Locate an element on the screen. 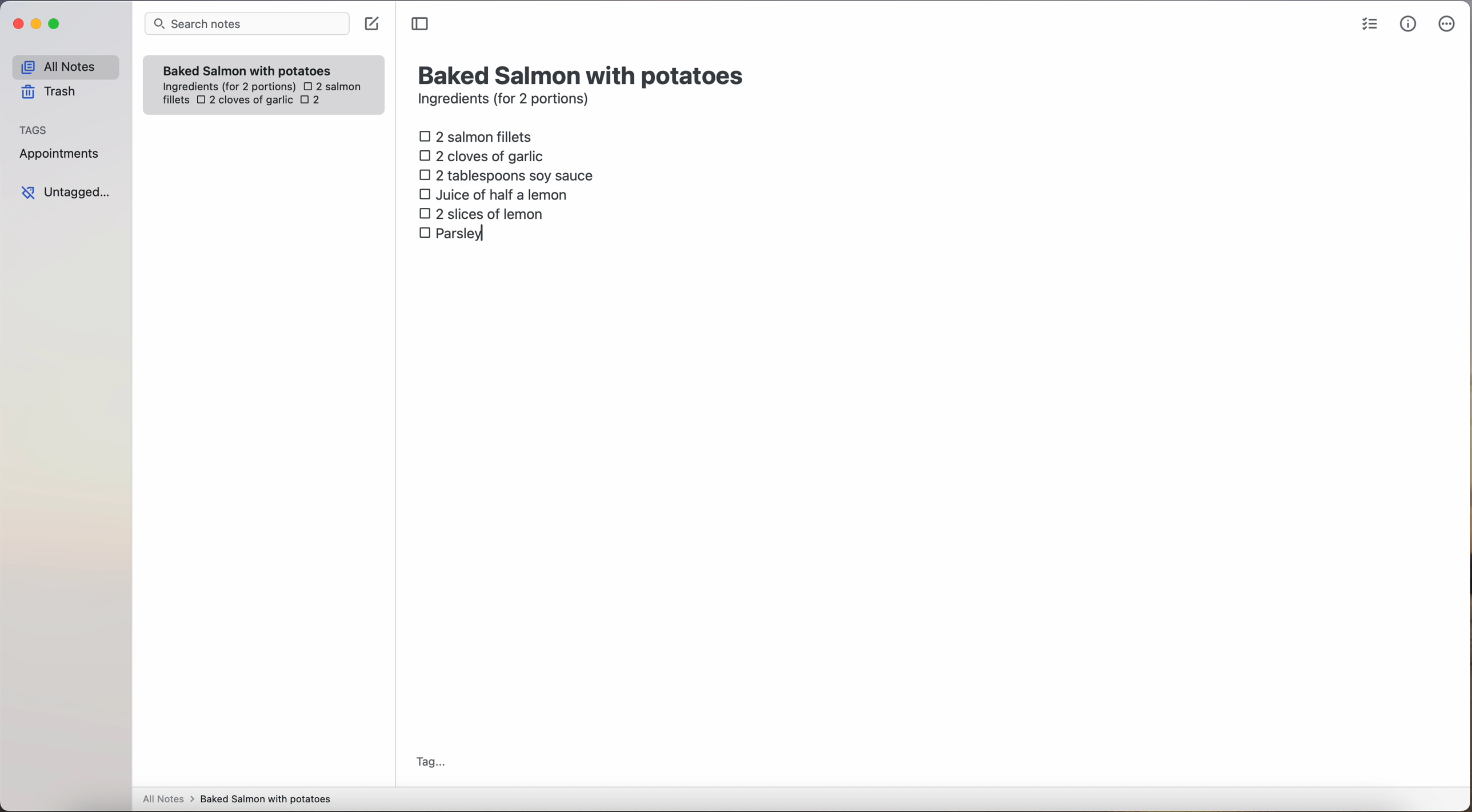 The width and height of the screenshot is (1472, 812). parsley is located at coordinates (454, 234).